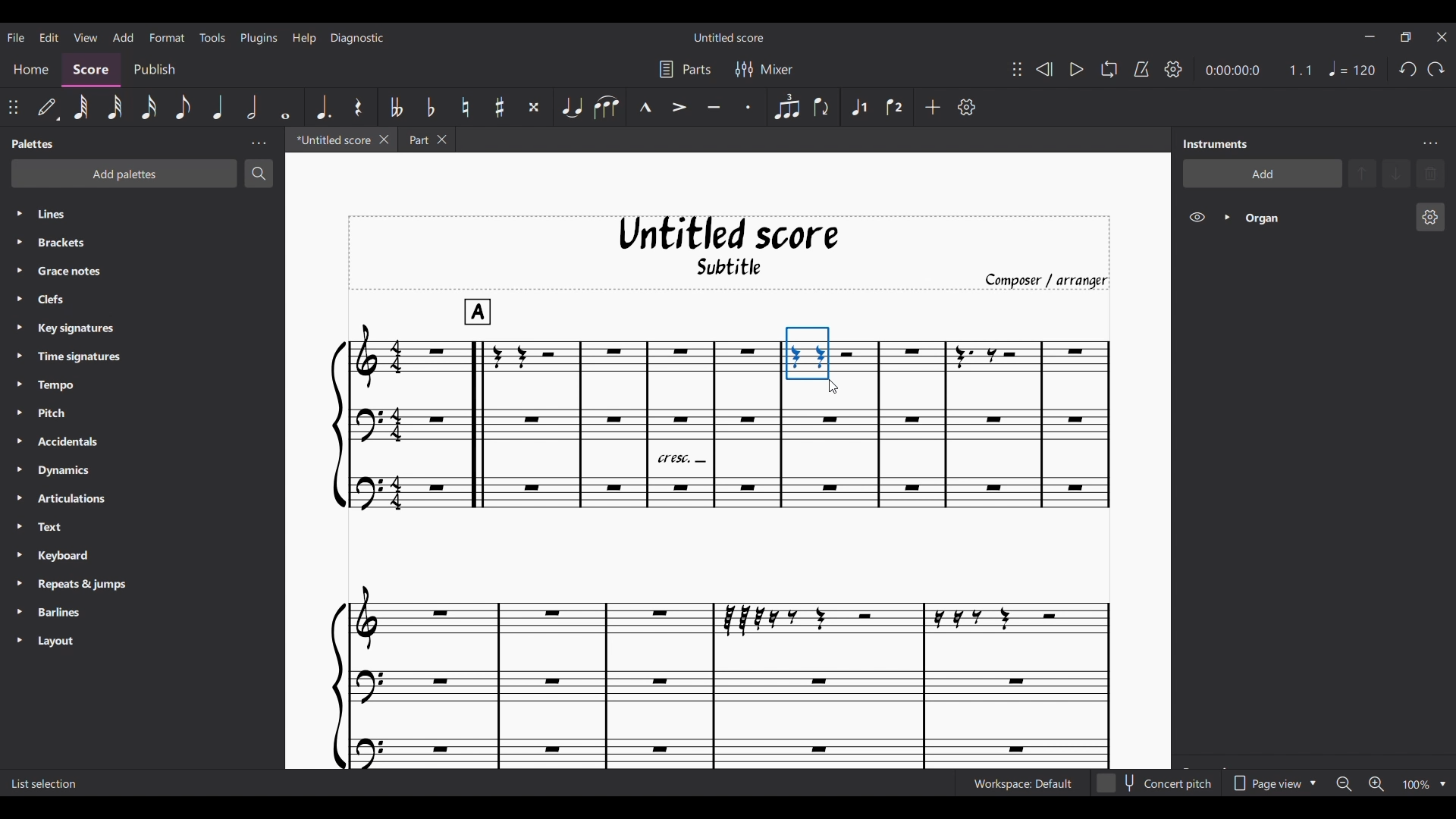 This screenshot has width=1456, height=819. What do you see at coordinates (1216, 143) in the screenshot?
I see `Panel title` at bounding box center [1216, 143].